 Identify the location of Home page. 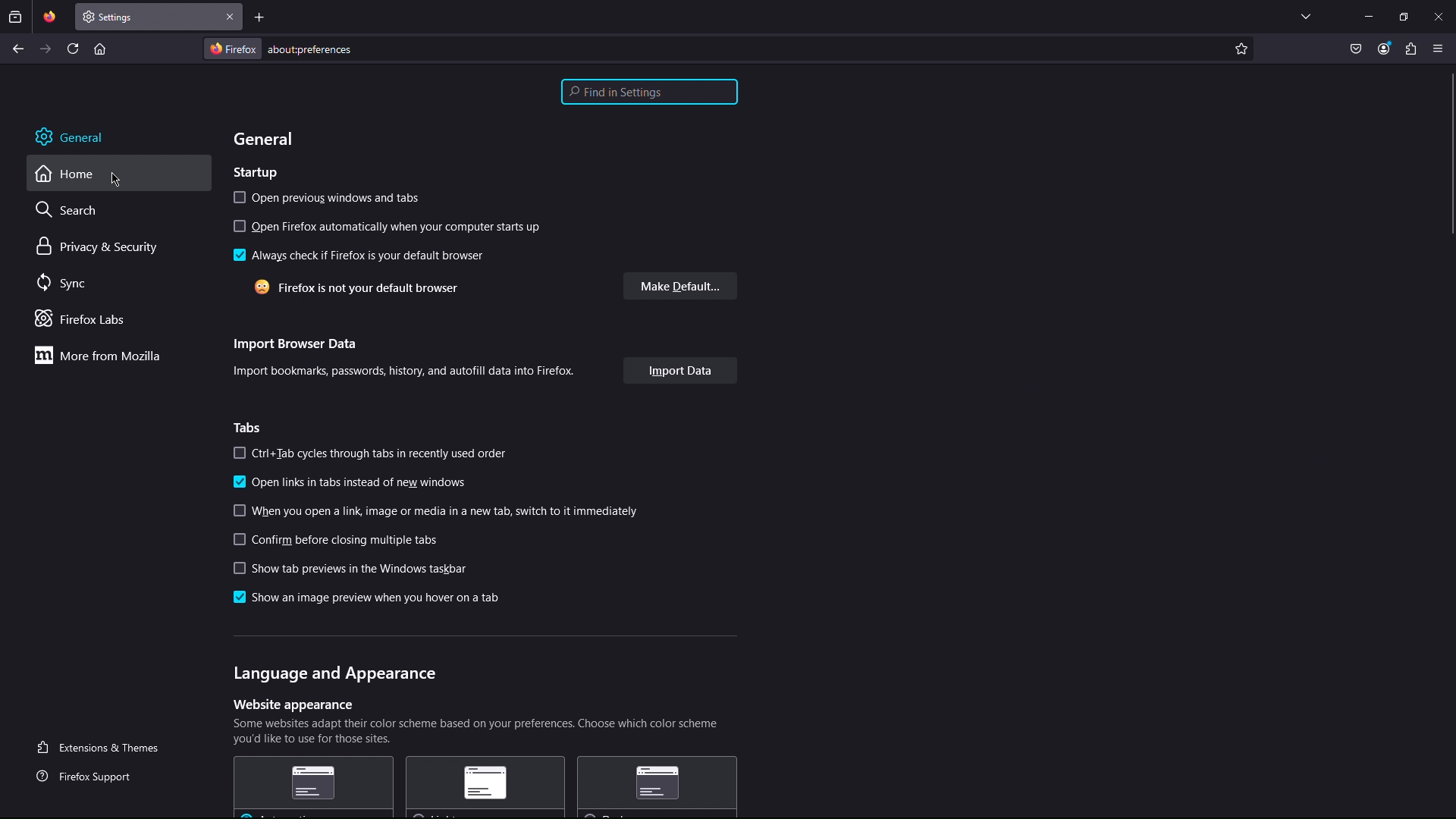
(99, 48).